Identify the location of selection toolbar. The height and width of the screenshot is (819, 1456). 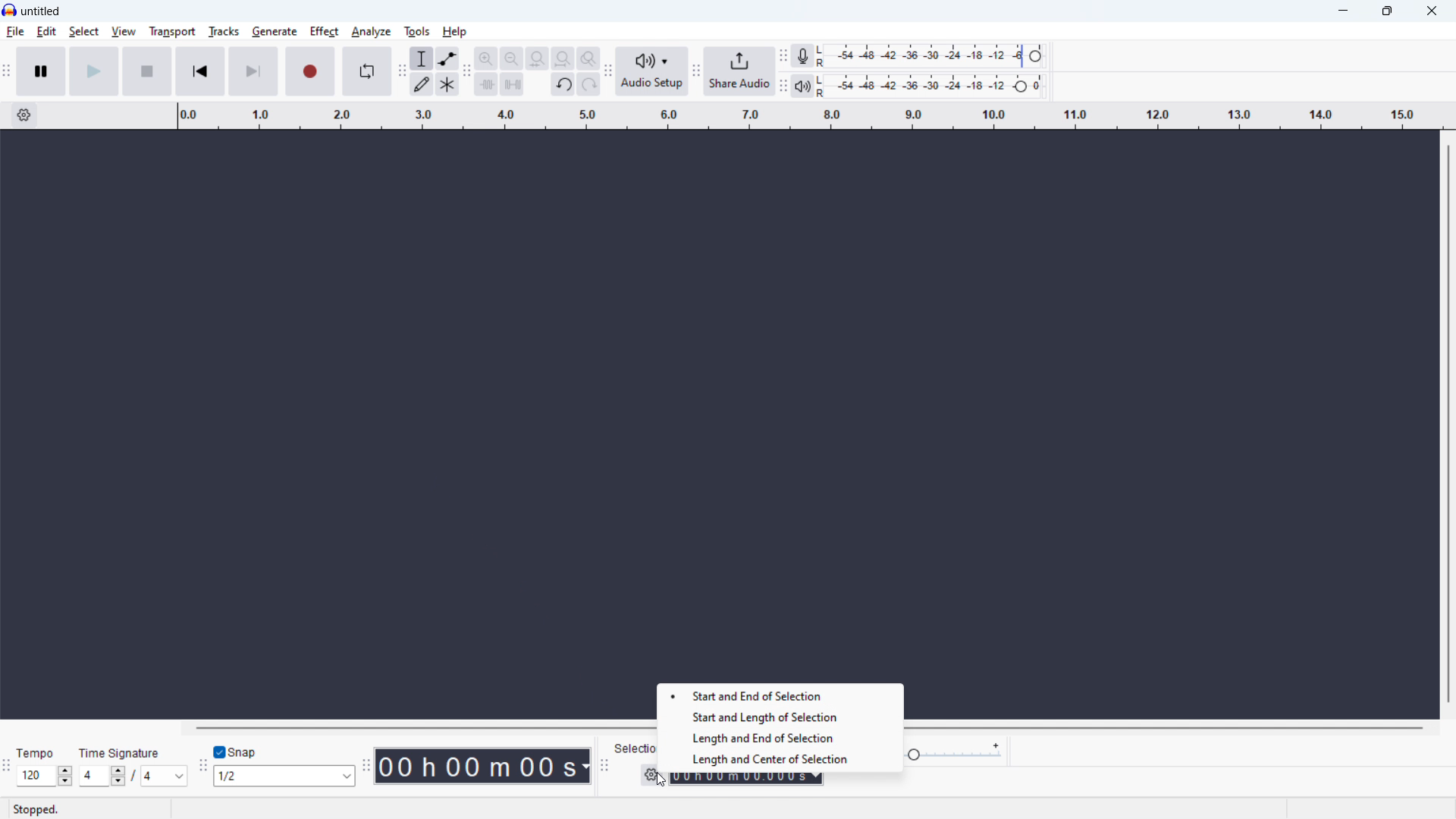
(603, 765).